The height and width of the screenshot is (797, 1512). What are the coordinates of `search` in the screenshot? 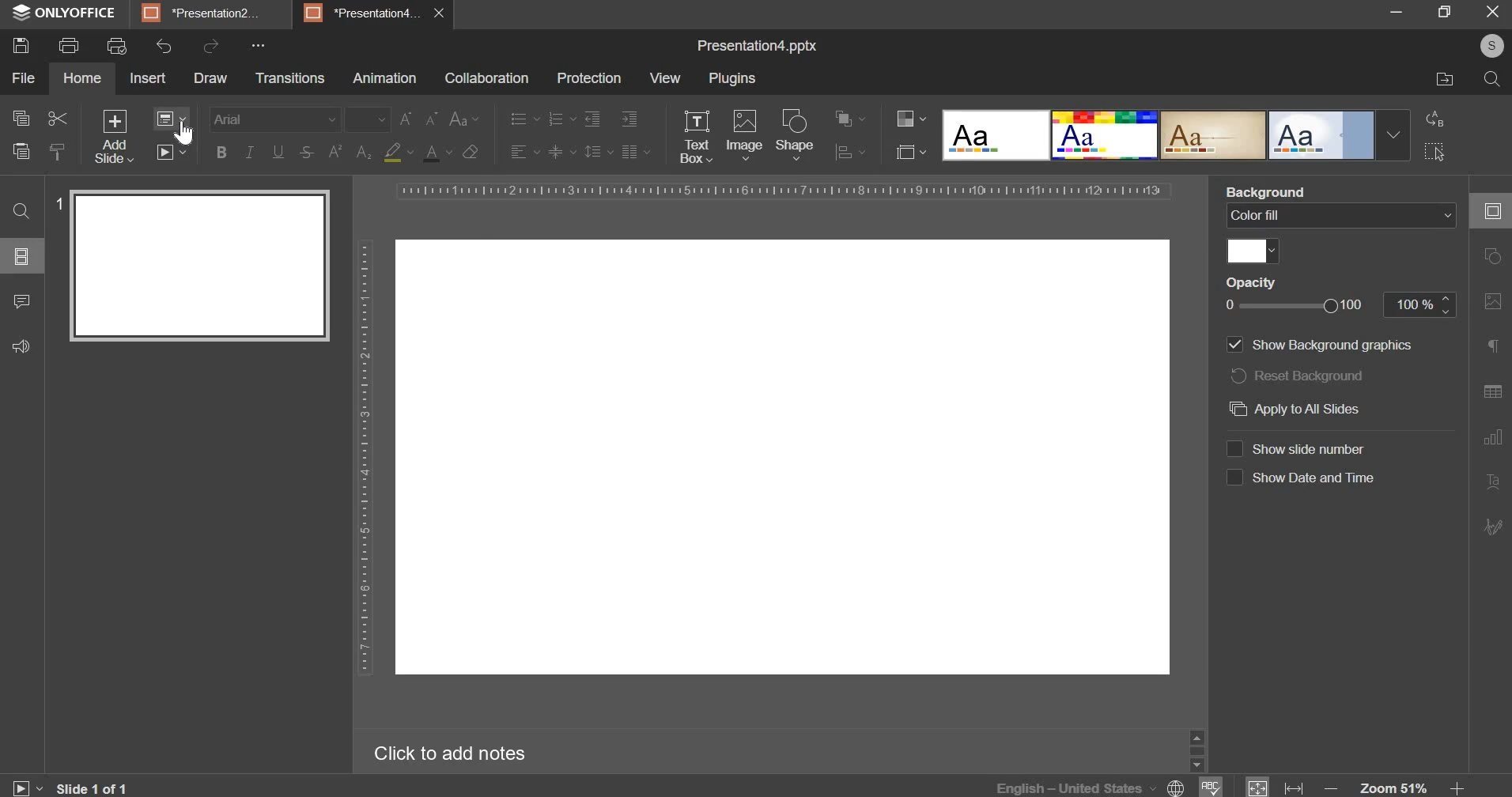 It's located at (1491, 81).